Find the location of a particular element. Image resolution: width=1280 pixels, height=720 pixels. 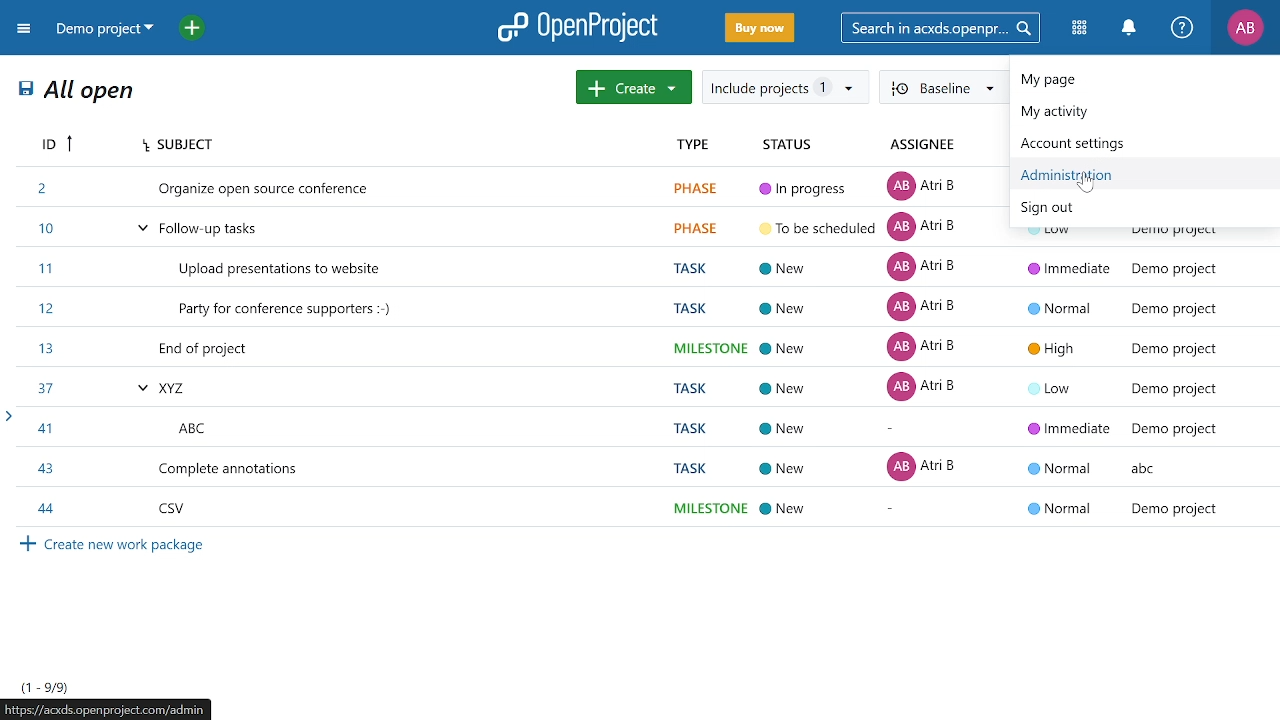

Current project is located at coordinates (103, 30).